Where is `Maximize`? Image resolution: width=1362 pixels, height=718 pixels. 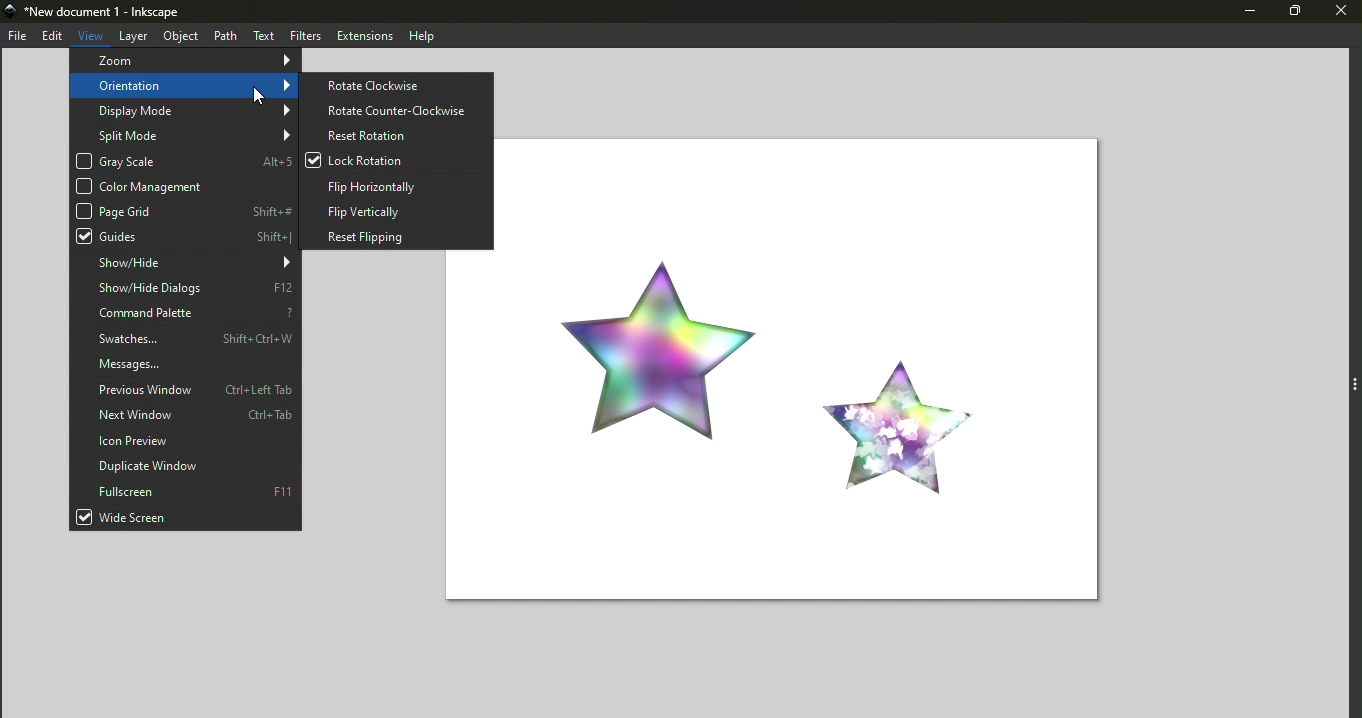
Maximize is located at coordinates (1292, 13).